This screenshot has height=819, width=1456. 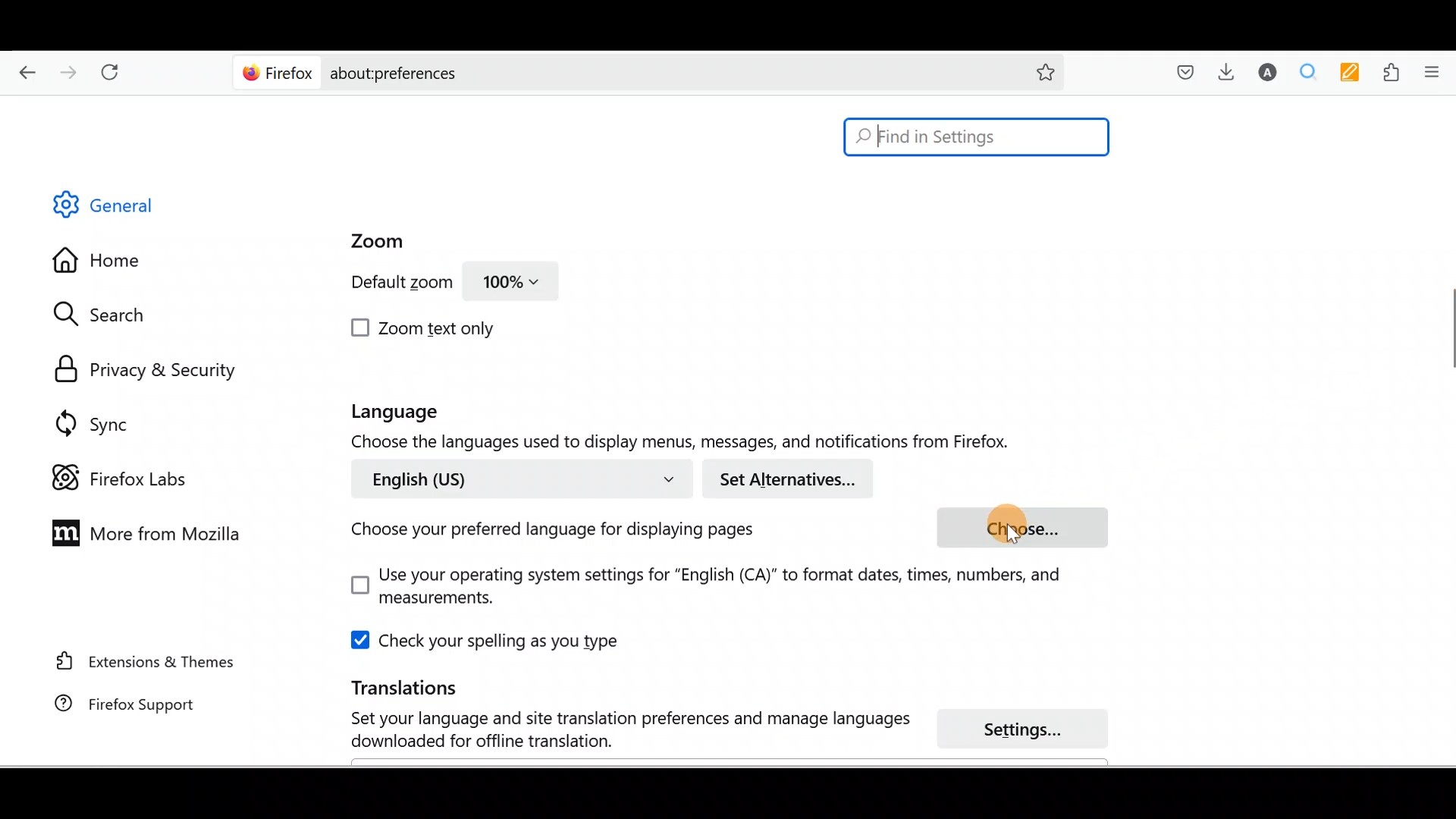 I want to click on cursor, so click(x=999, y=520).